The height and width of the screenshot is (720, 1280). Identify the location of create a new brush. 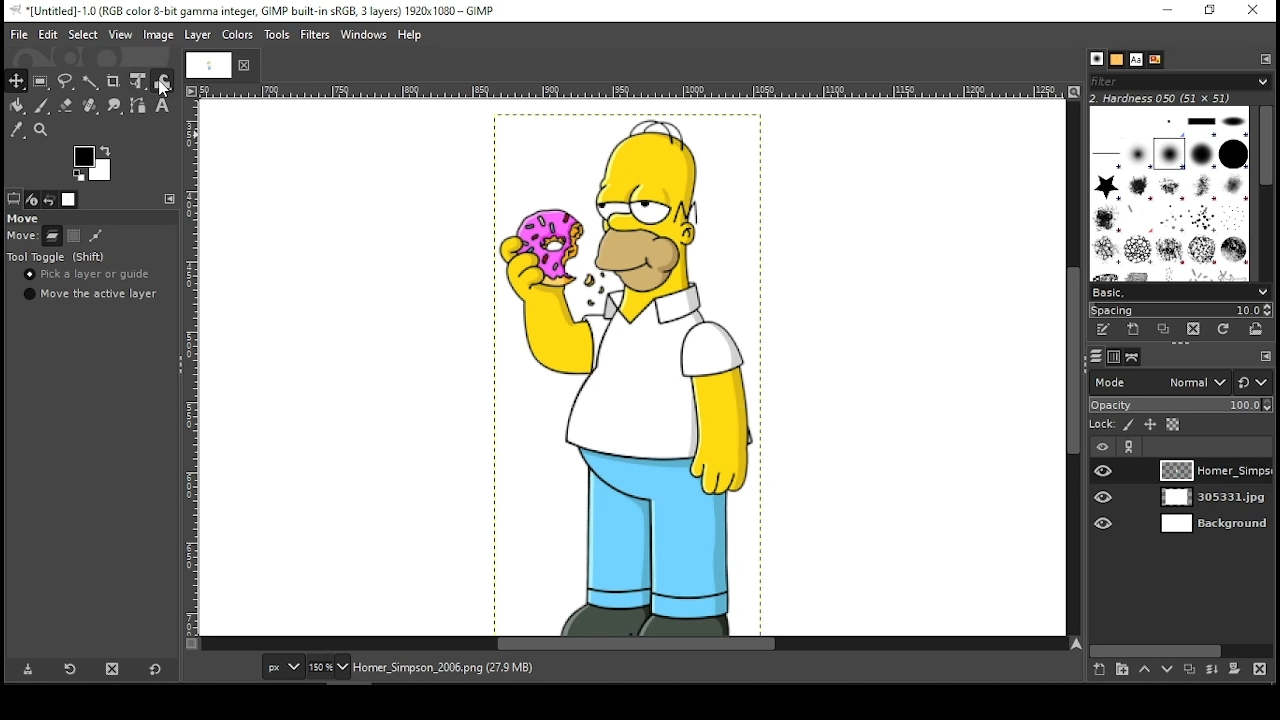
(1135, 330).